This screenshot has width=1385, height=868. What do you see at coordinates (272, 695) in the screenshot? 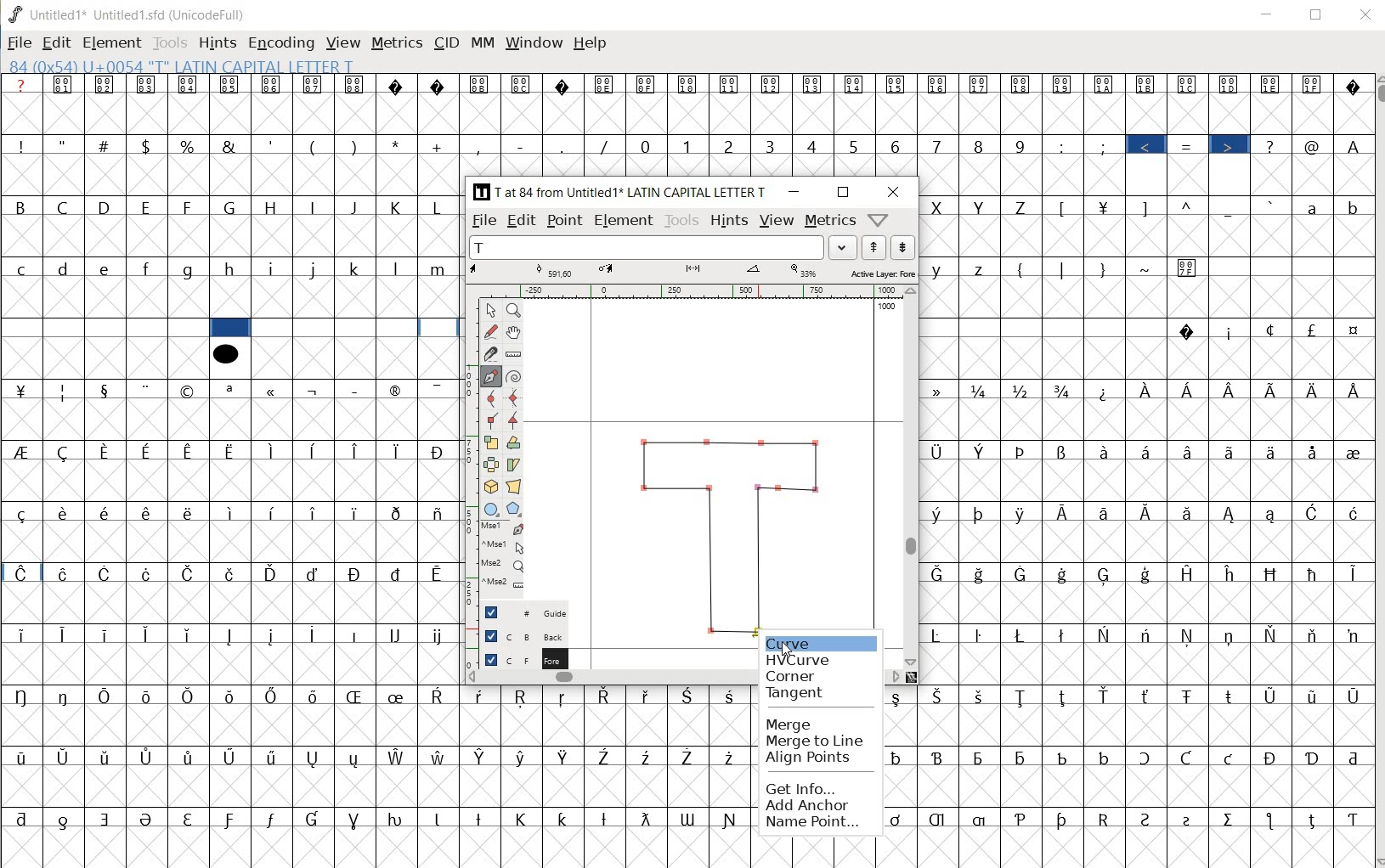
I see `Symbol` at bounding box center [272, 695].